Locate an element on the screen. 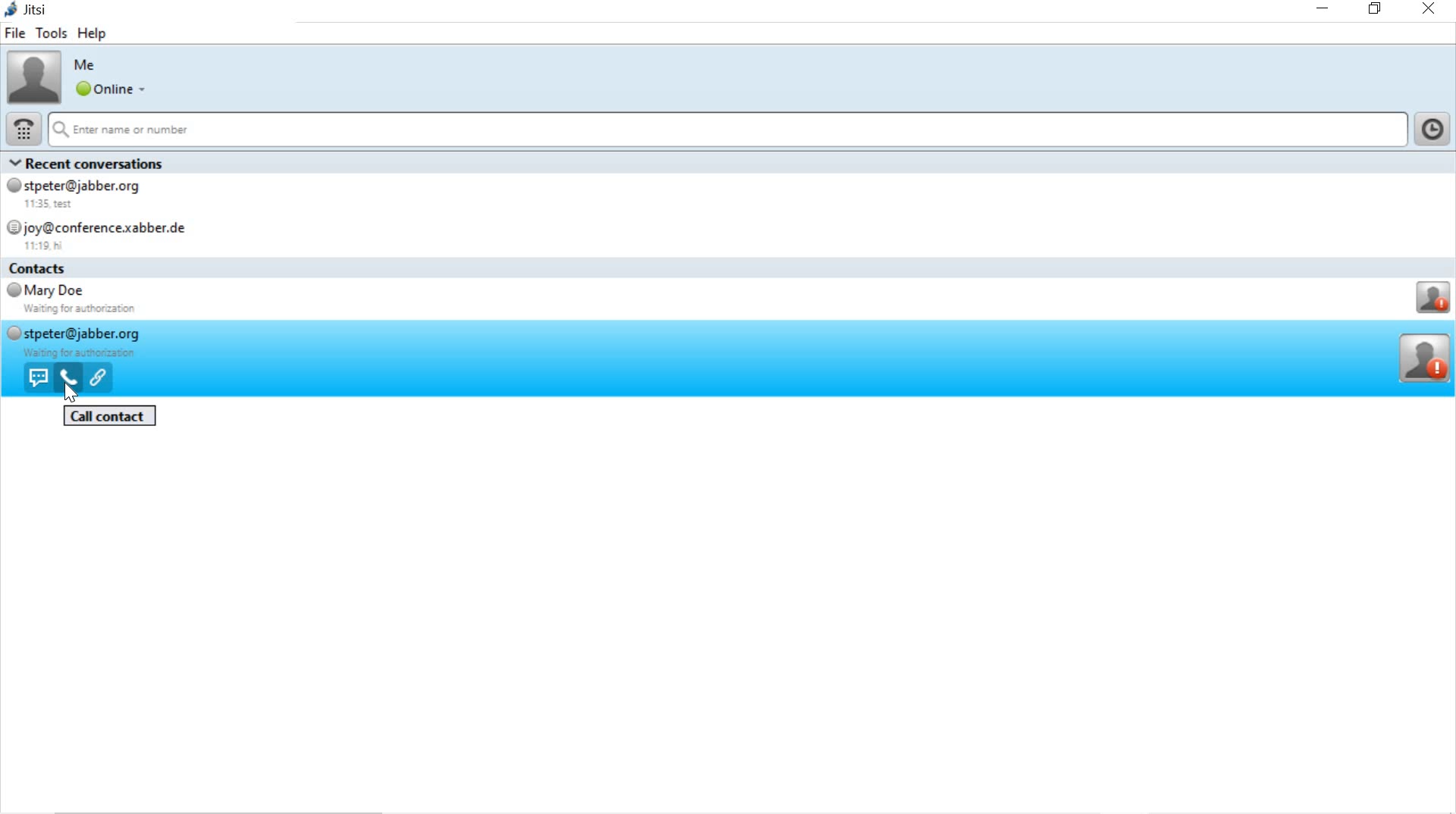  voice call is located at coordinates (68, 377).